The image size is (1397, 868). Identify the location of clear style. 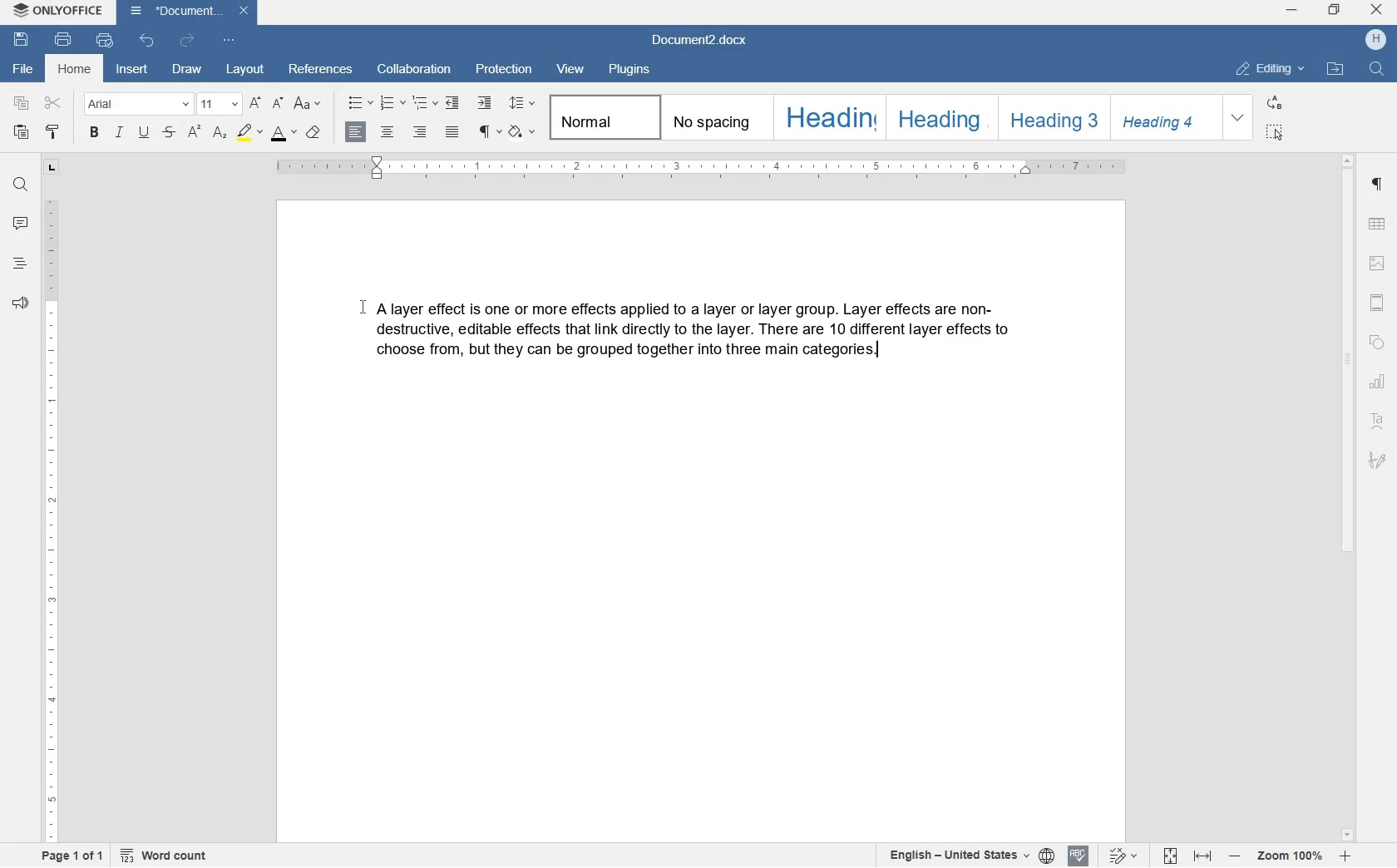
(312, 133).